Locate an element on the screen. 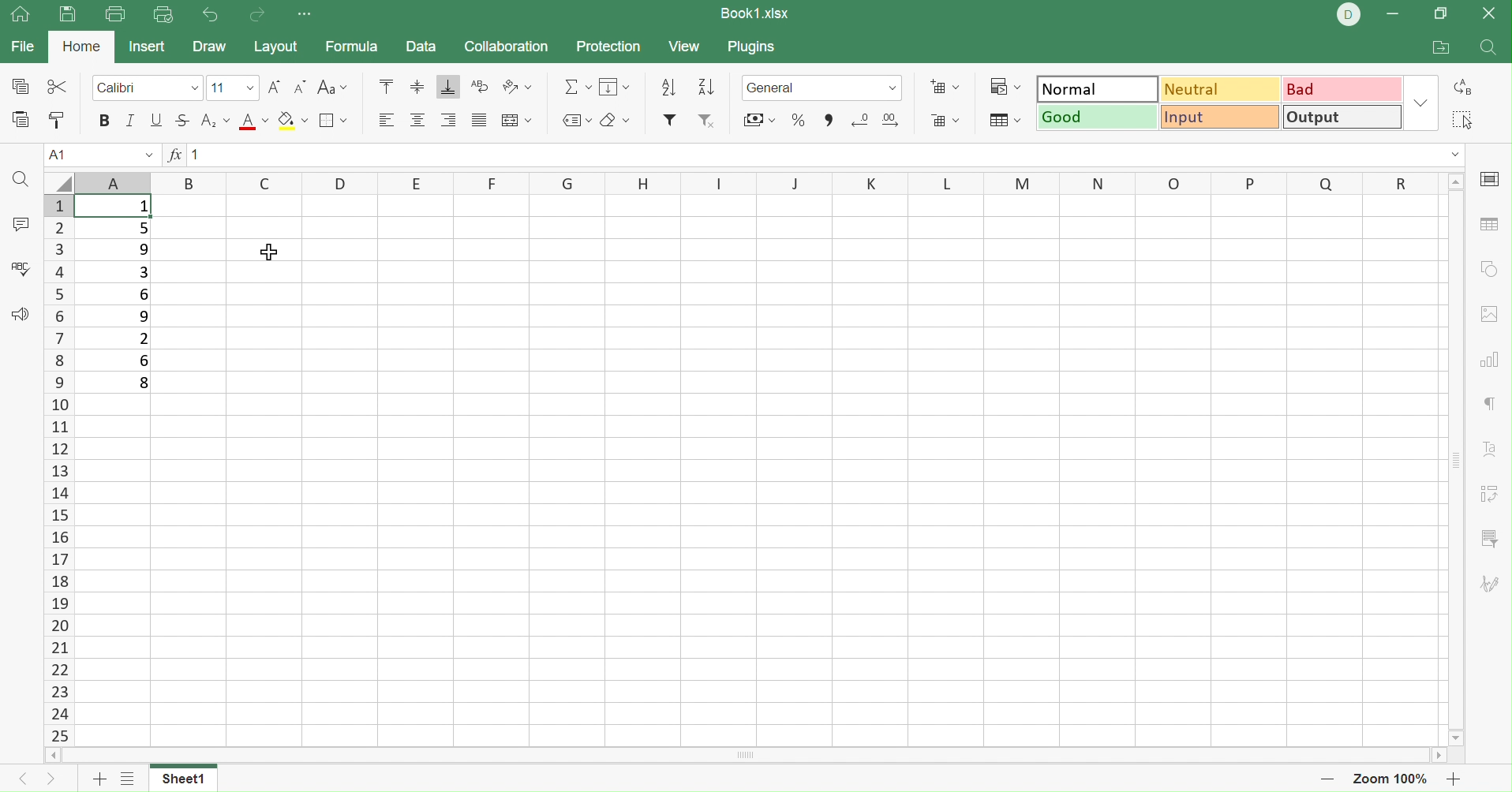 This screenshot has height=792, width=1512. 3 is located at coordinates (142, 271).